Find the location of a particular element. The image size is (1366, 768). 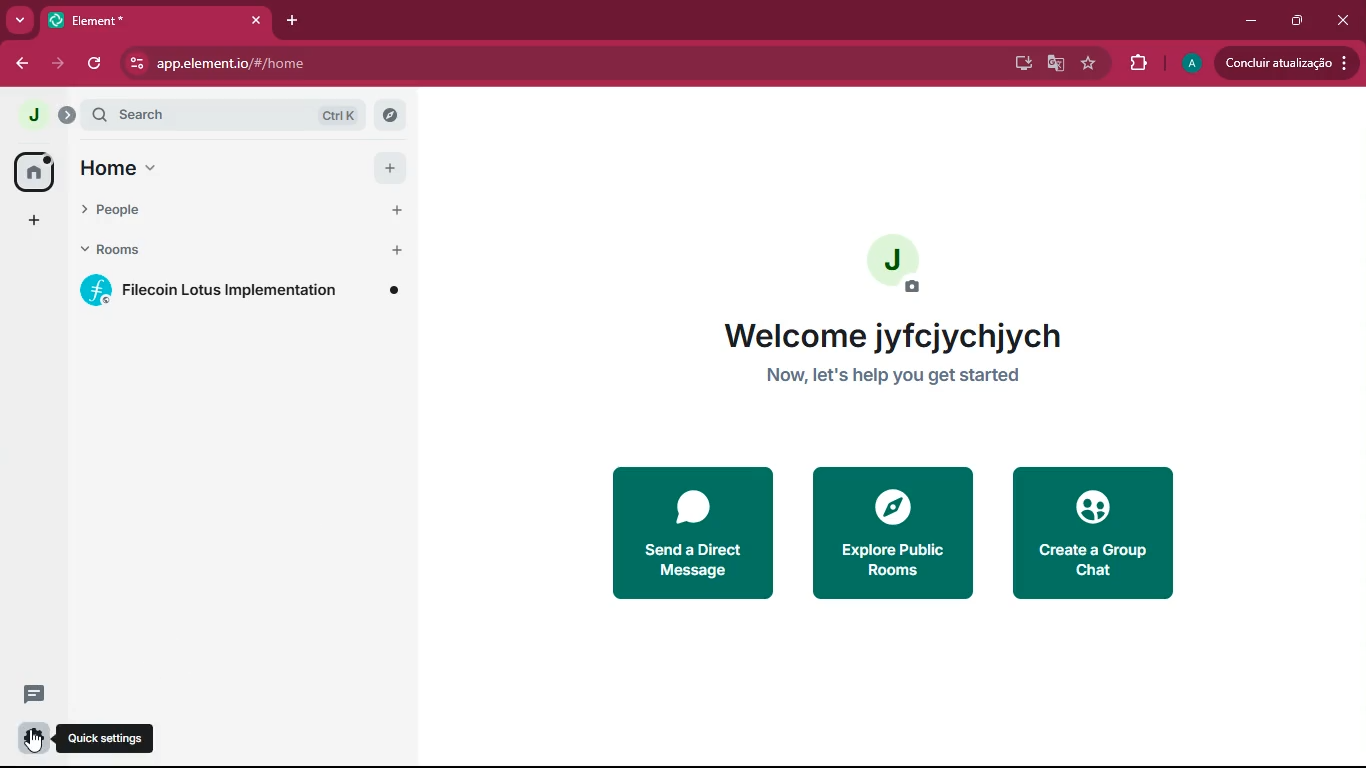

send a direct message is located at coordinates (691, 530).